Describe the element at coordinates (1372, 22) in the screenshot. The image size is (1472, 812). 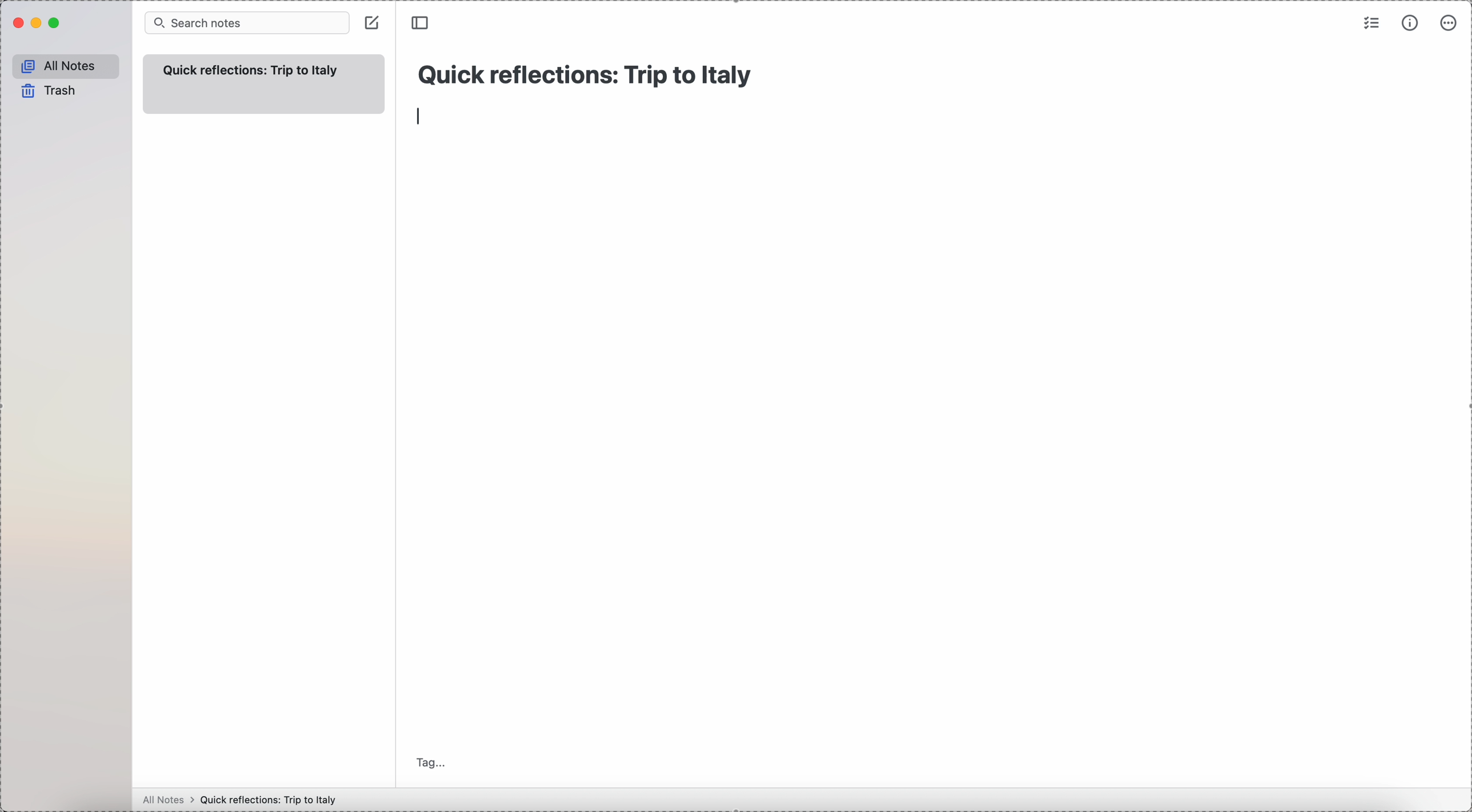
I see `check list` at that location.